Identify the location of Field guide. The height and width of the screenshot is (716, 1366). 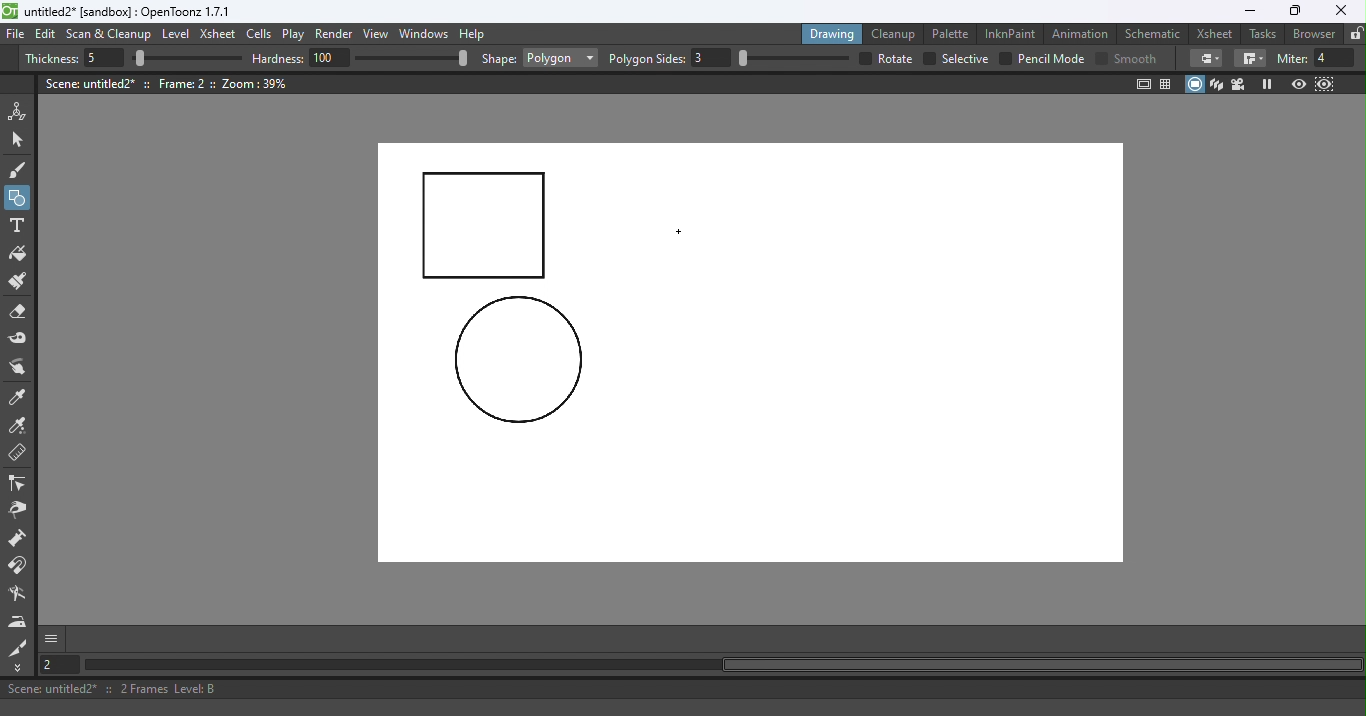
(1169, 83).